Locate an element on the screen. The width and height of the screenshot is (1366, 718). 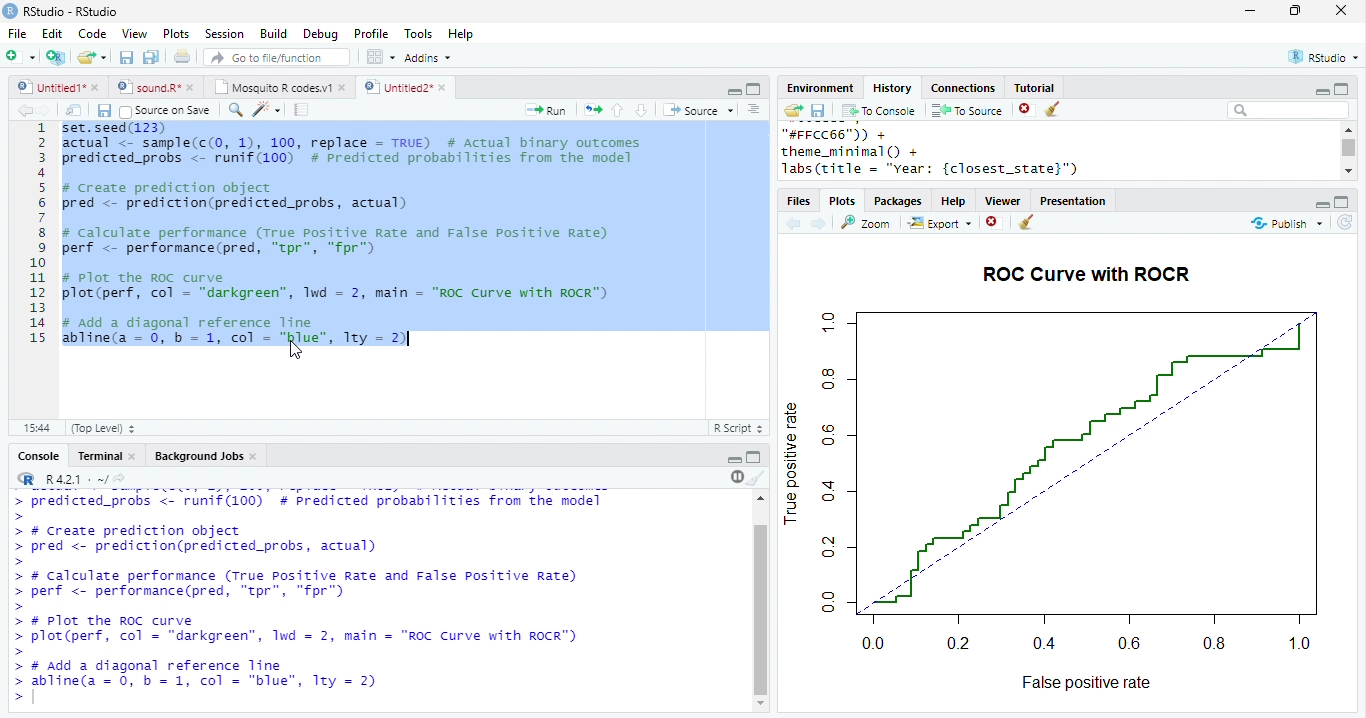
R 4.2.1 .~/ is located at coordinates (75, 480).